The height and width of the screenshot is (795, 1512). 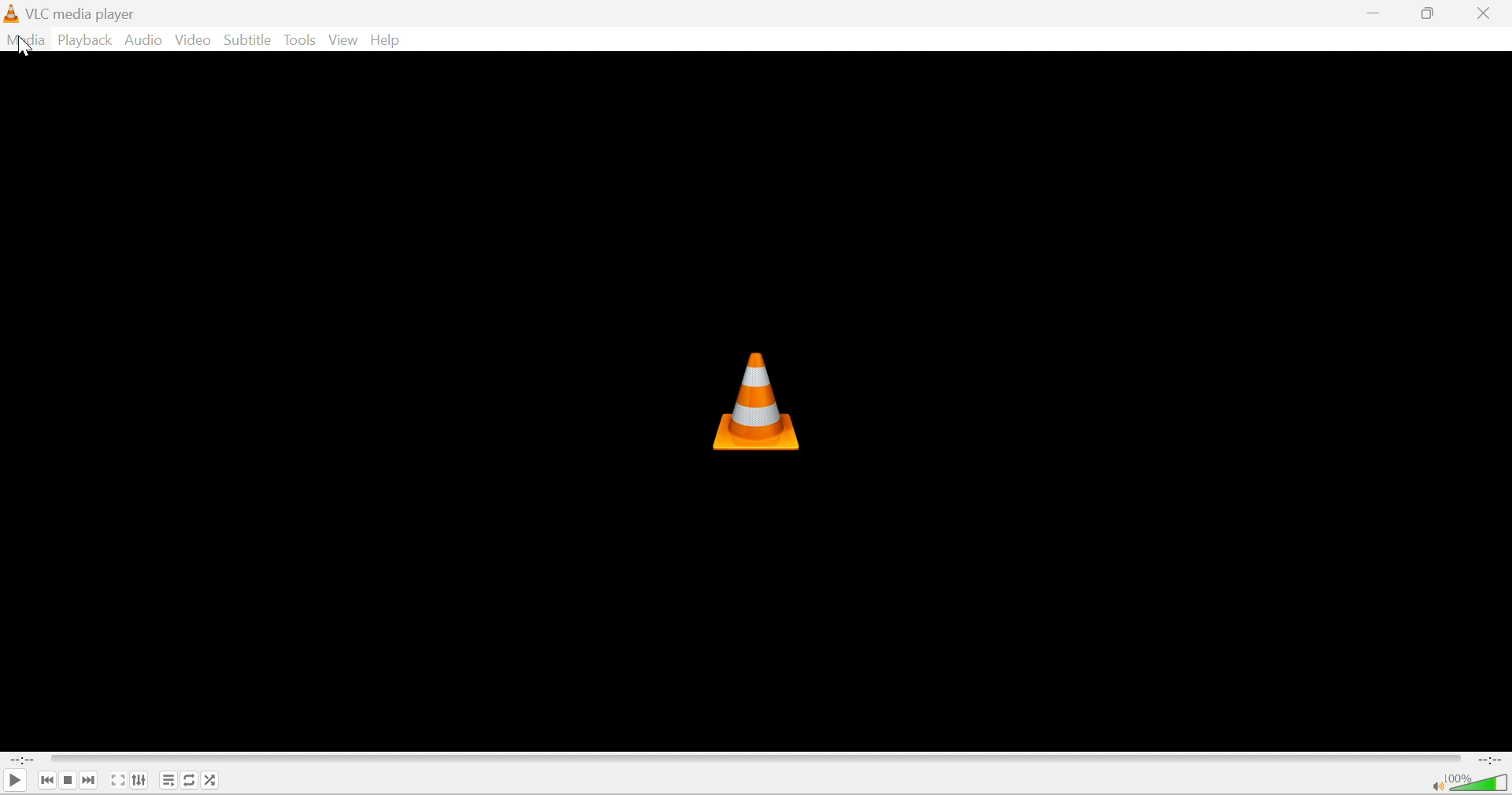 I want to click on Mute/unmute, so click(x=1436, y=786).